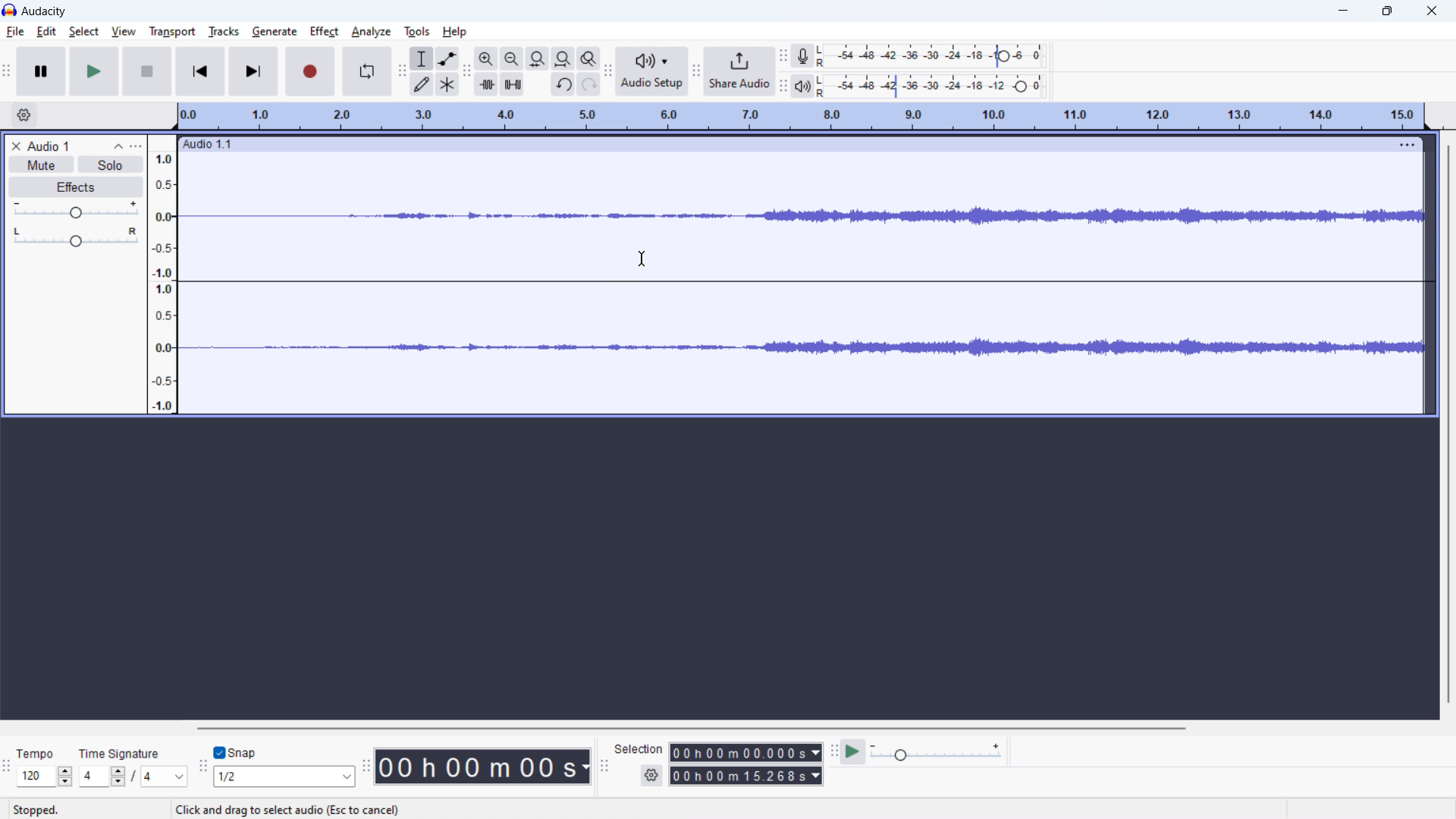  Describe the element at coordinates (202, 765) in the screenshot. I see `snapping toolbar` at that location.